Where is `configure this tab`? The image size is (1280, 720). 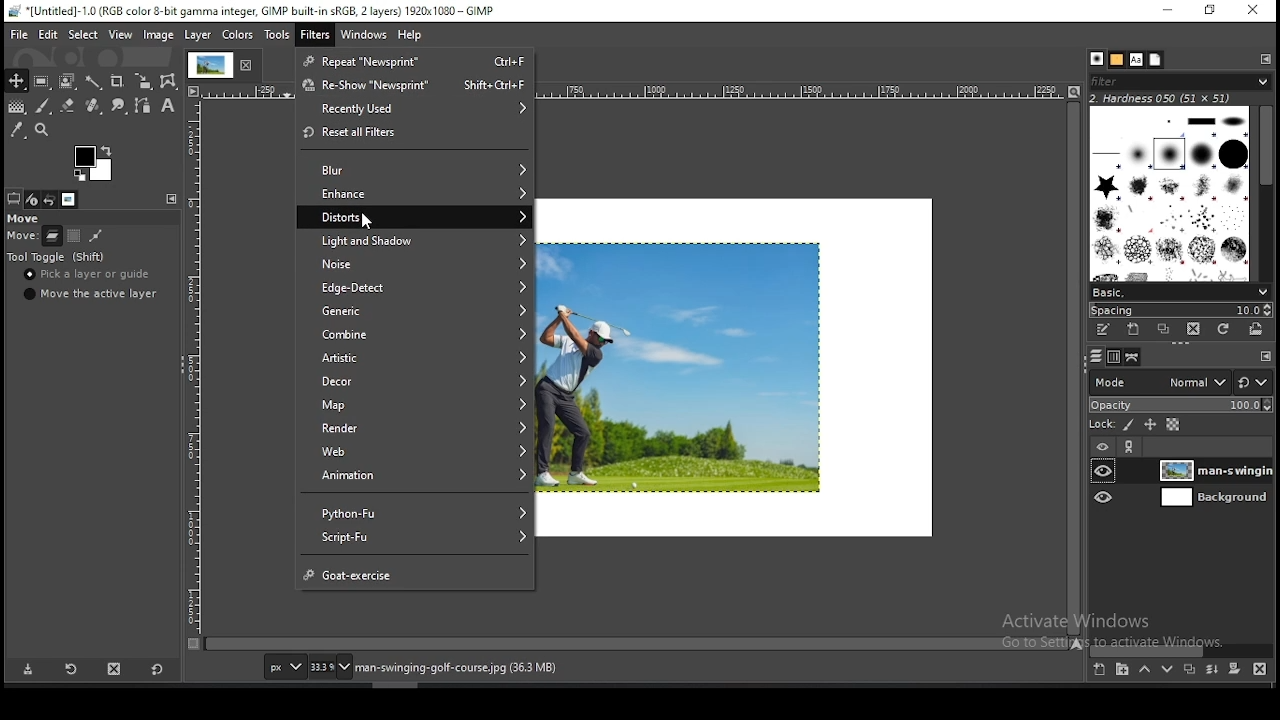 configure this tab is located at coordinates (171, 199).